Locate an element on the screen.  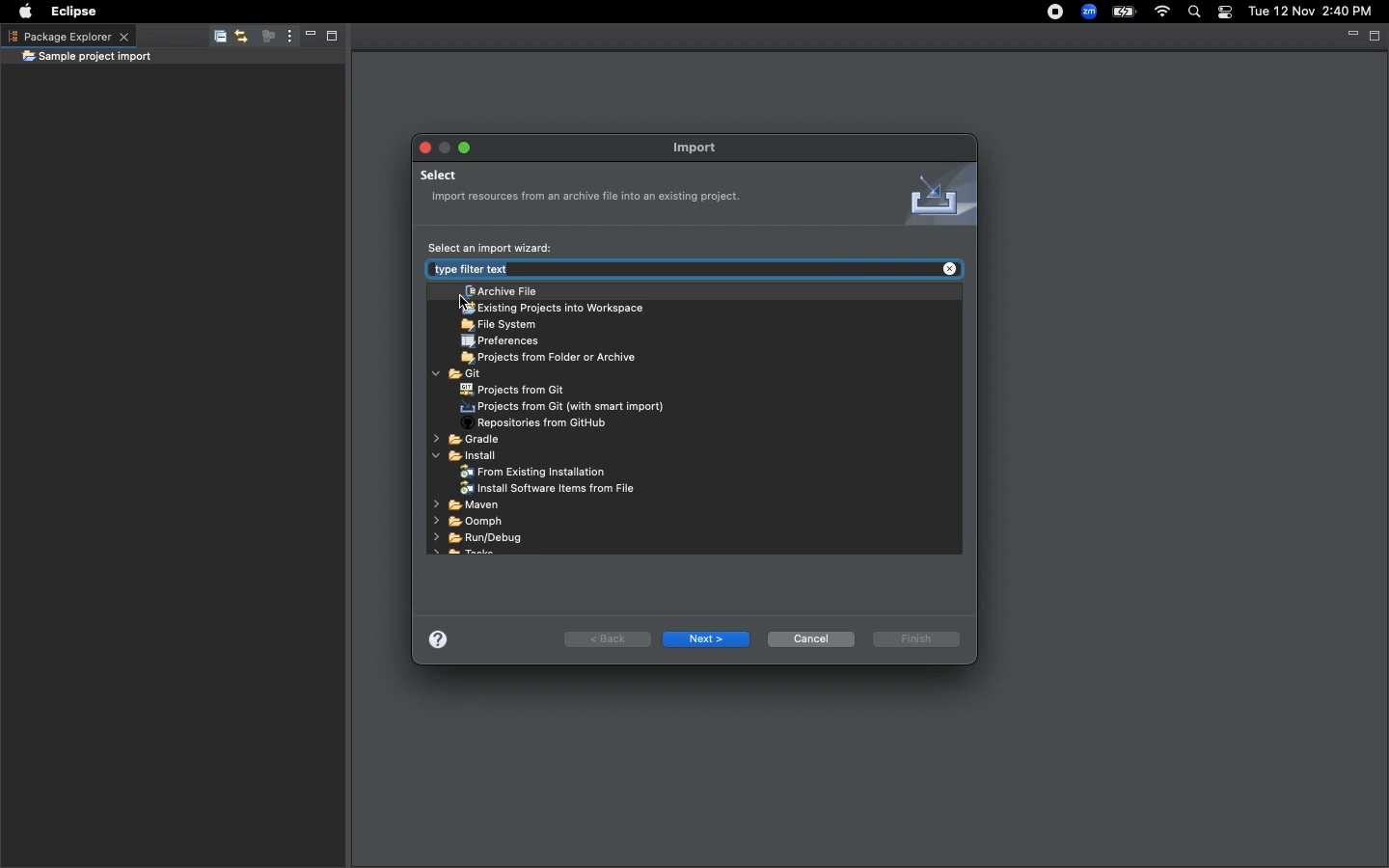
Back is located at coordinates (606, 637).